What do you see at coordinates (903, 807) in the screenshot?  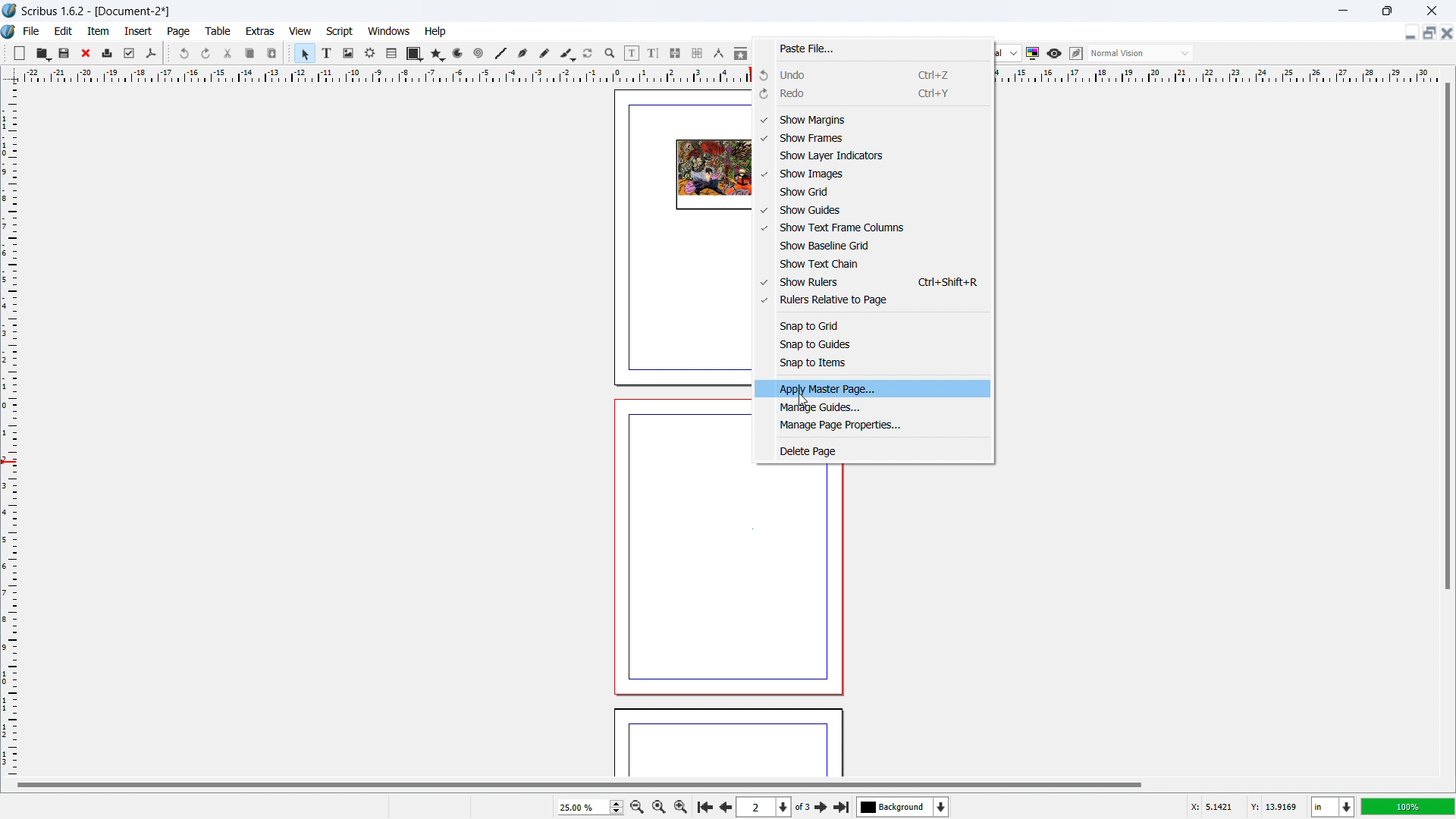 I see `select the current layer` at bounding box center [903, 807].